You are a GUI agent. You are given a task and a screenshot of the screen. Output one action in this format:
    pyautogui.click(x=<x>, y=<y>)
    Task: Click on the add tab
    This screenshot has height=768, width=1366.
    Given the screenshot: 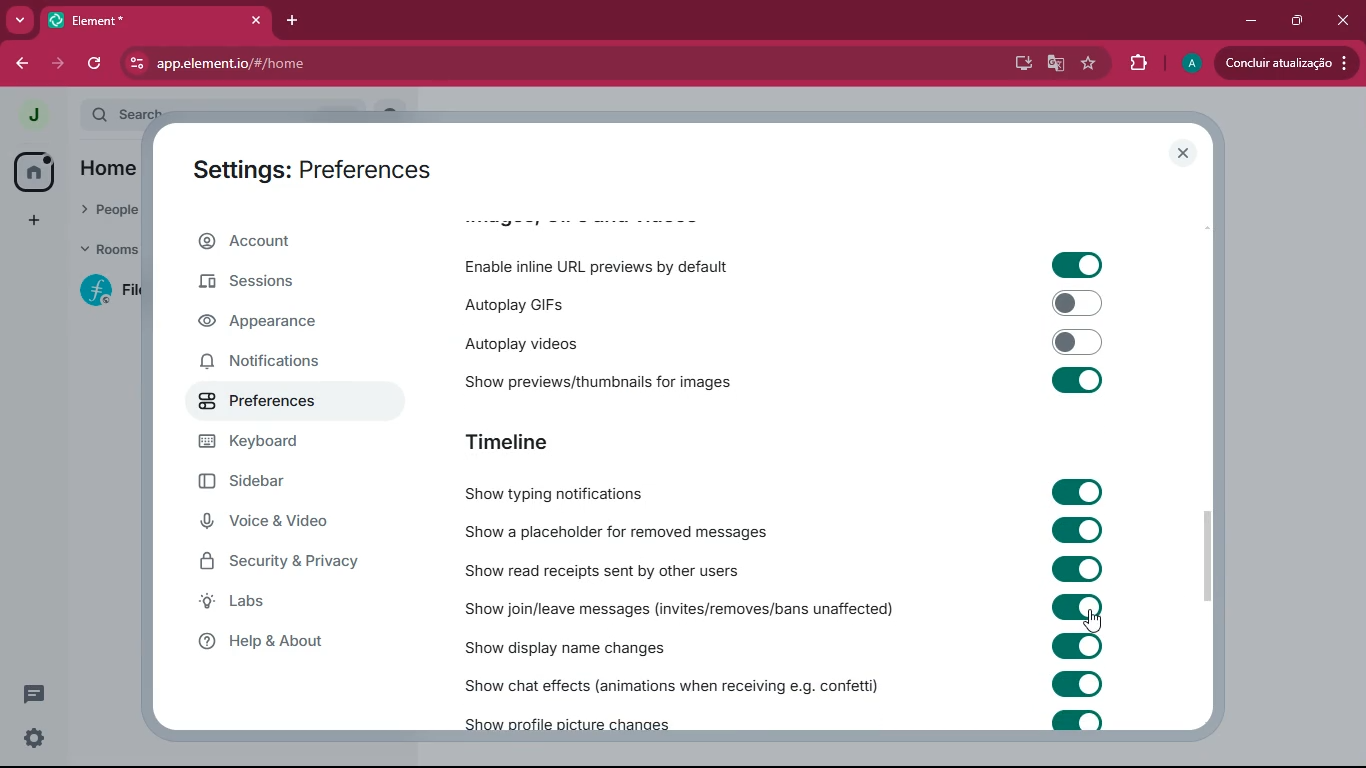 What is the action you would take?
    pyautogui.click(x=292, y=21)
    